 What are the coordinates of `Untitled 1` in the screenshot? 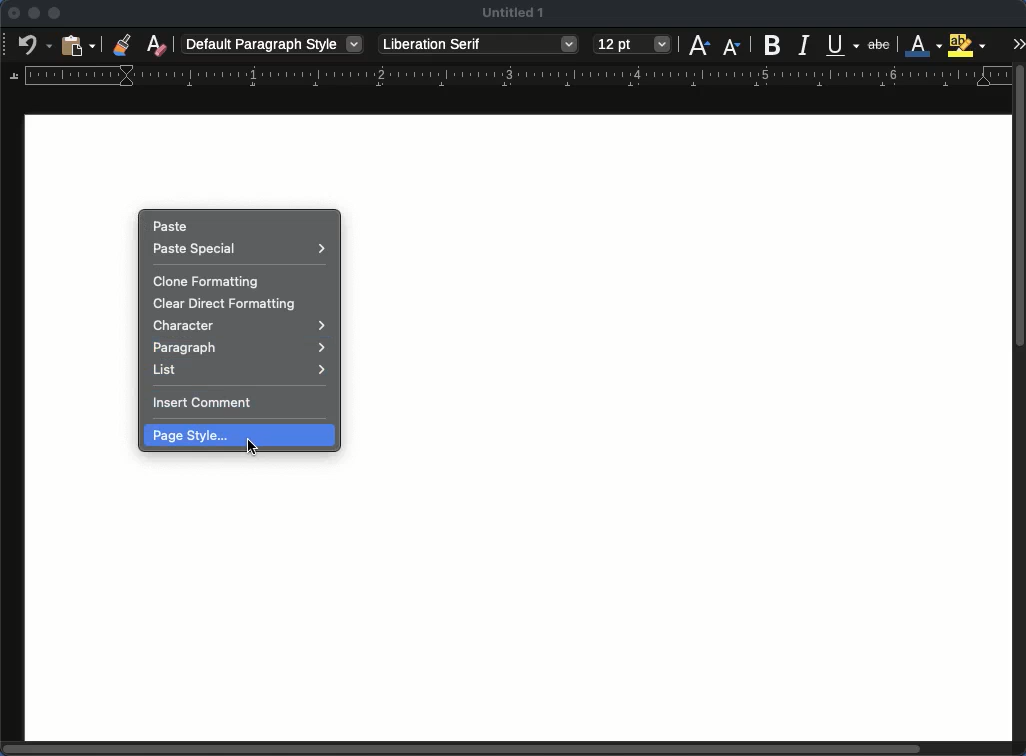 It's located at (512, 13).